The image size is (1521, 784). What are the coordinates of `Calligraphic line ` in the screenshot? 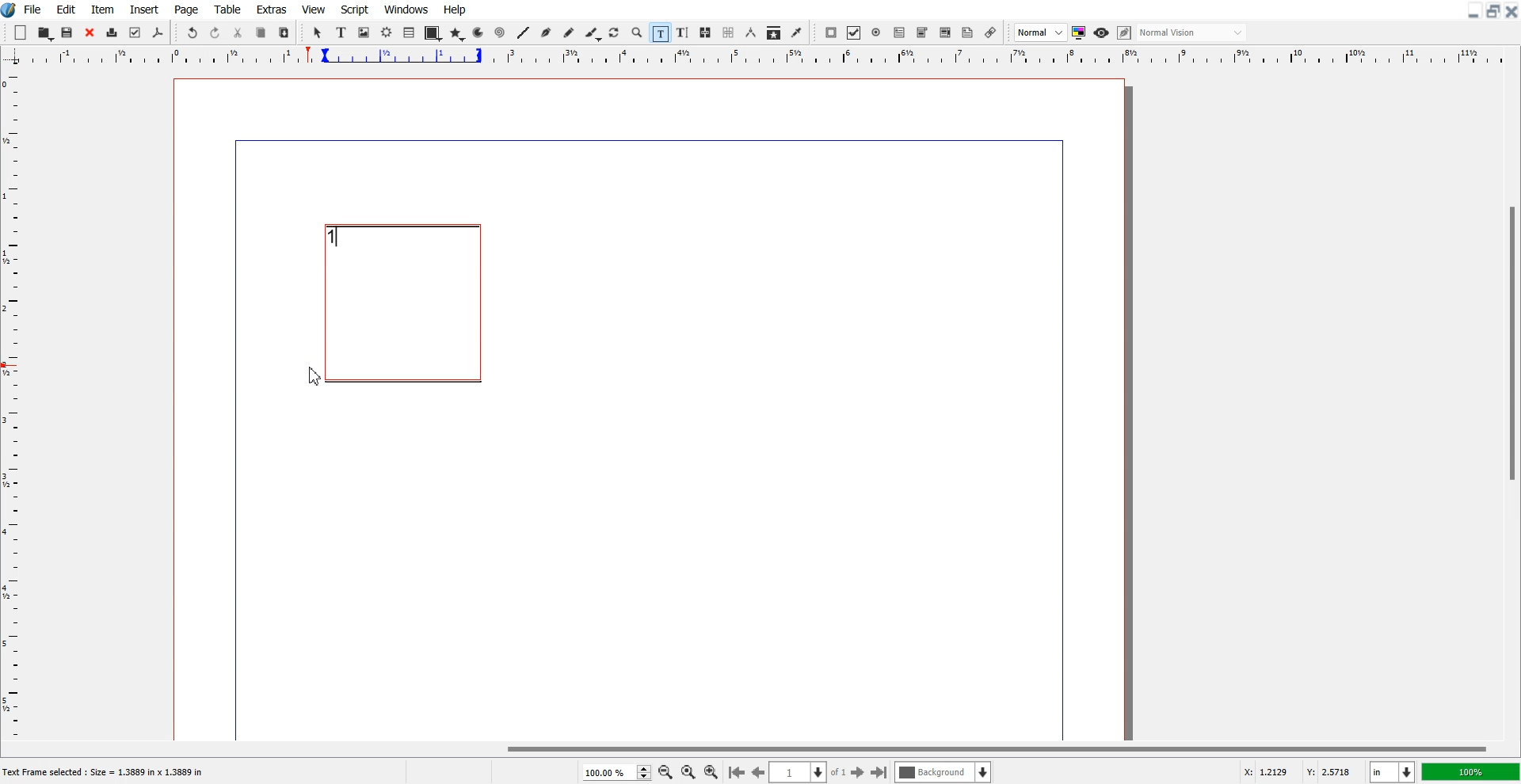 It's located at (593, 34).